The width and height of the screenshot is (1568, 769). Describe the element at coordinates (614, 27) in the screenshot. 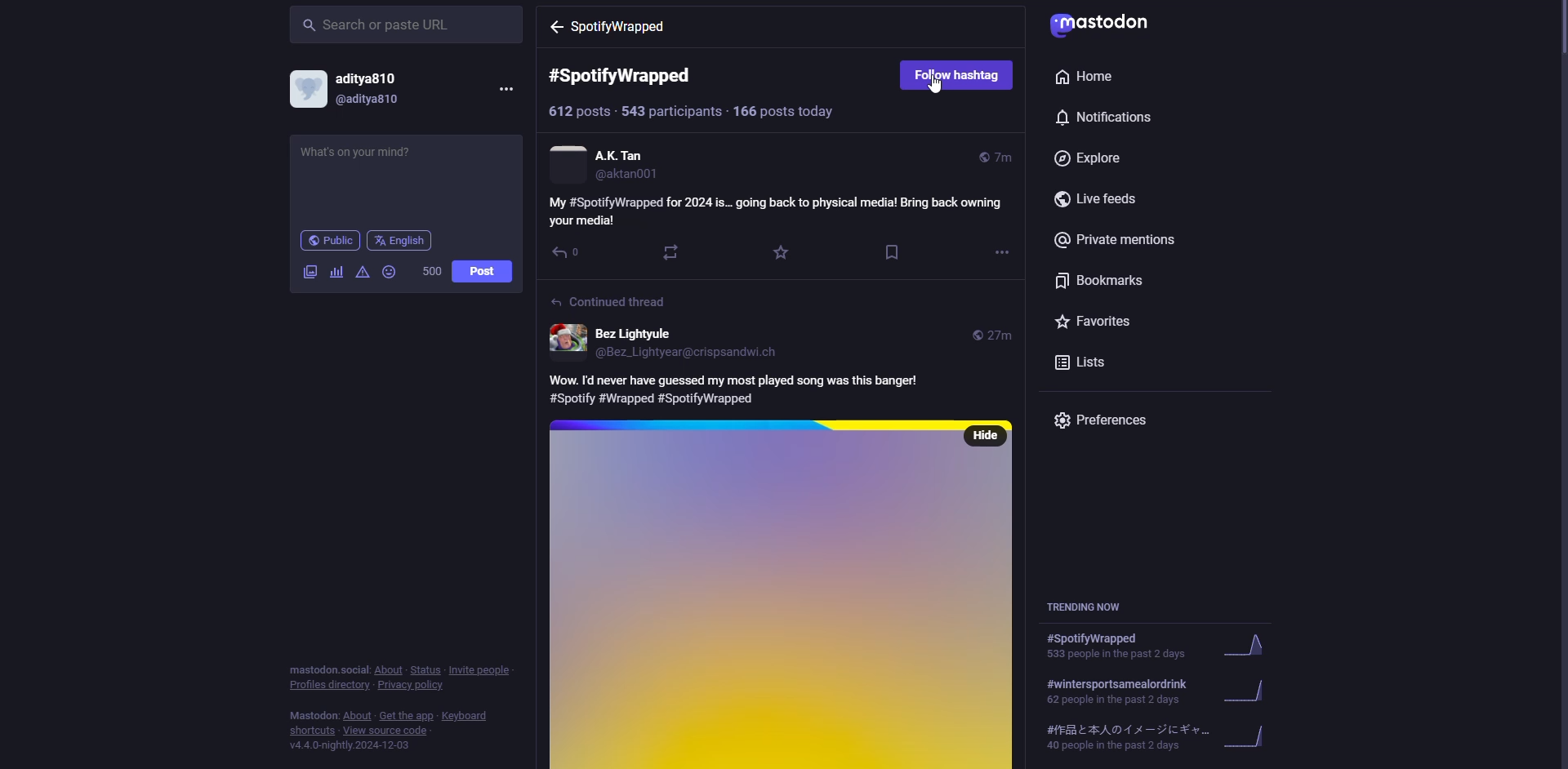

I see `hashtag` at that location.